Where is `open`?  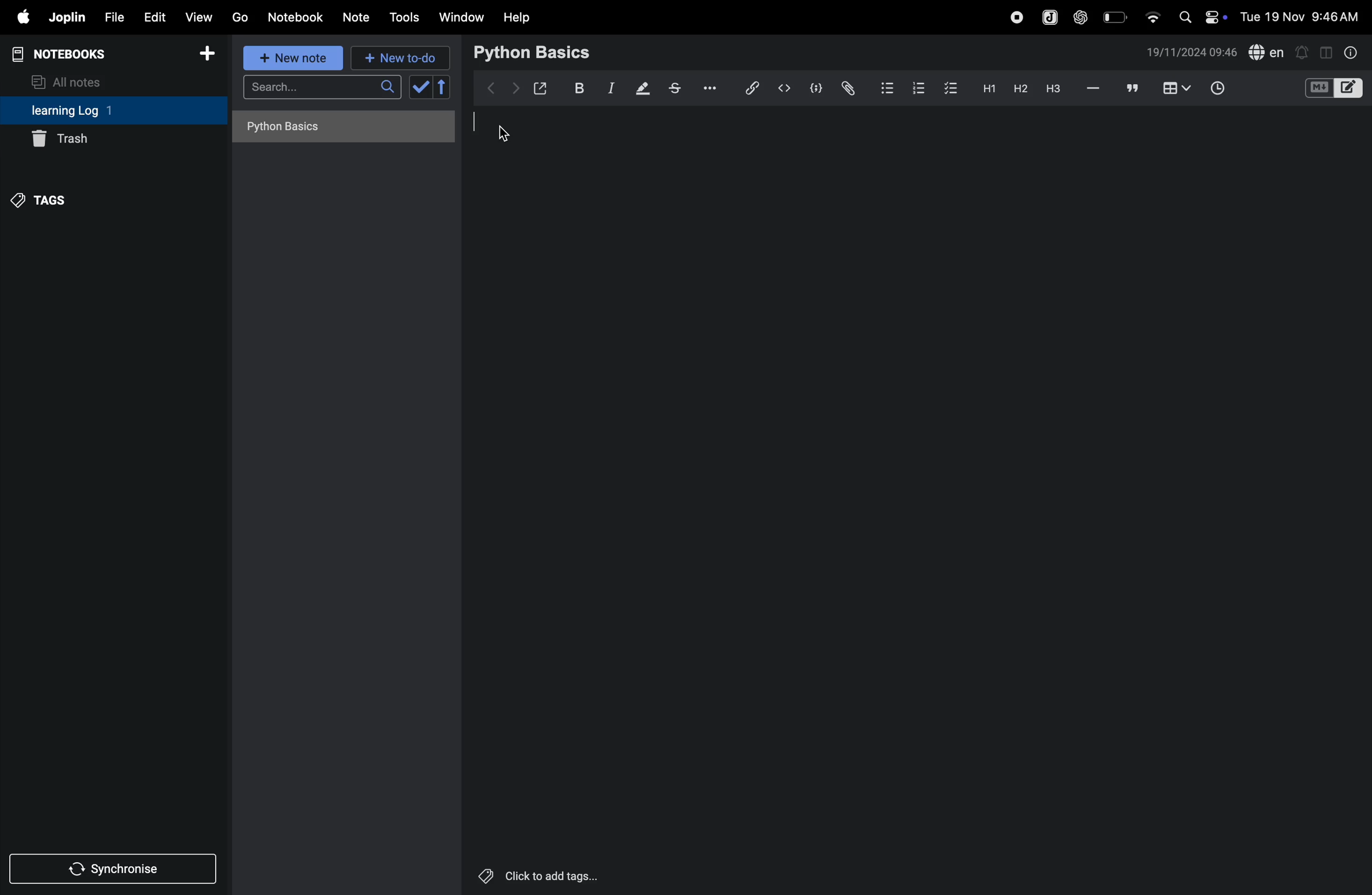
open is located at coordinates (541, 88).